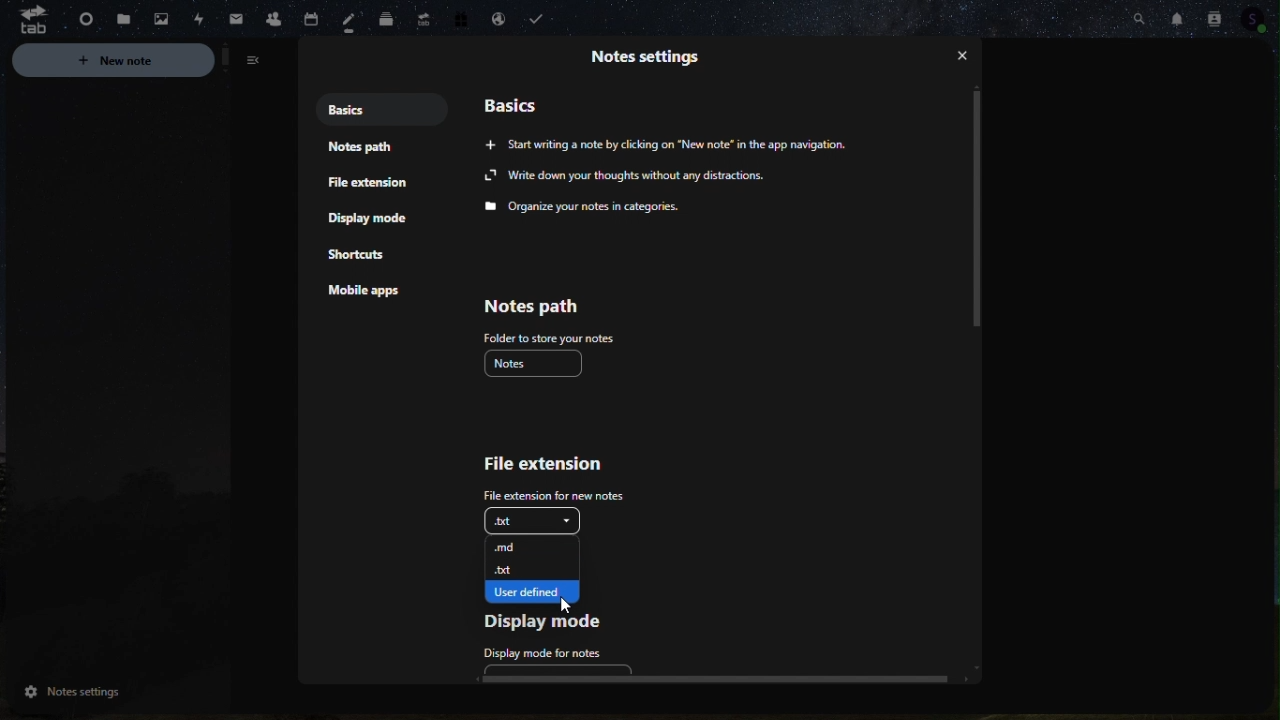 Image resolution: width=1280 pixels, height=720 pixels. What do you see at coordinates (384, 20) in the screenshot?
I see `Deck` at bounding box center [384, 20].